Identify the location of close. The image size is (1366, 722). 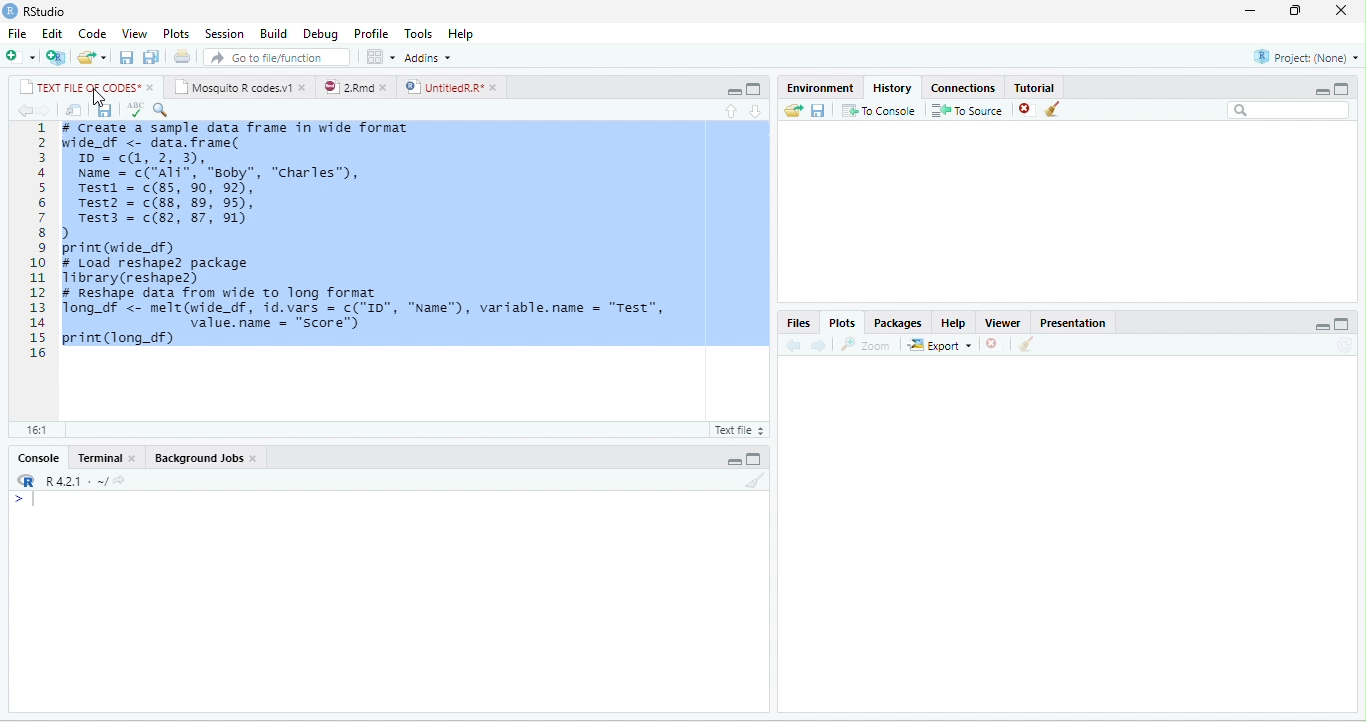
(387, 87).